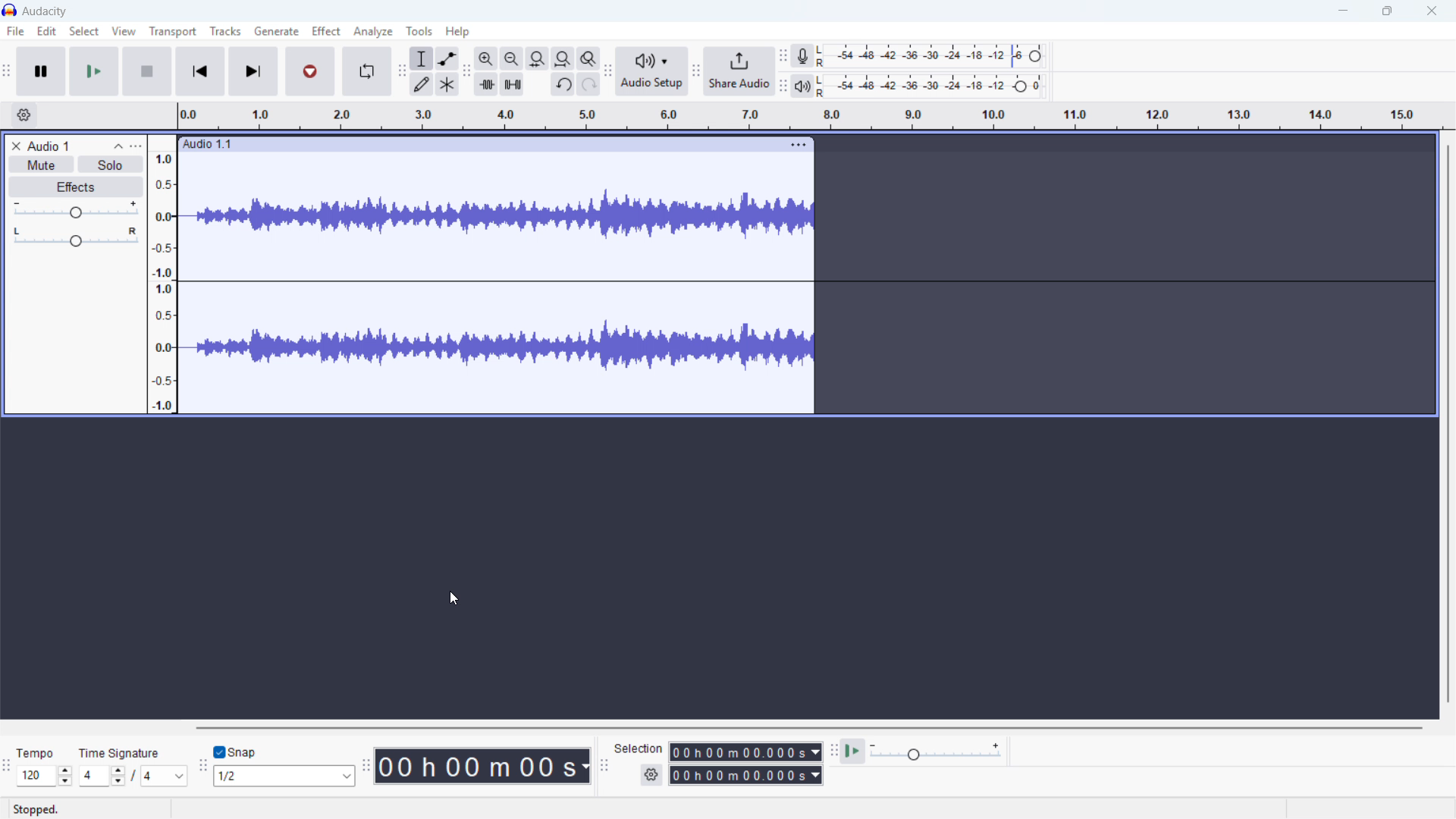 Image resolution: width=1456 pixels, height=819 pixels. I want to click on minimise , so click(1341, 11).